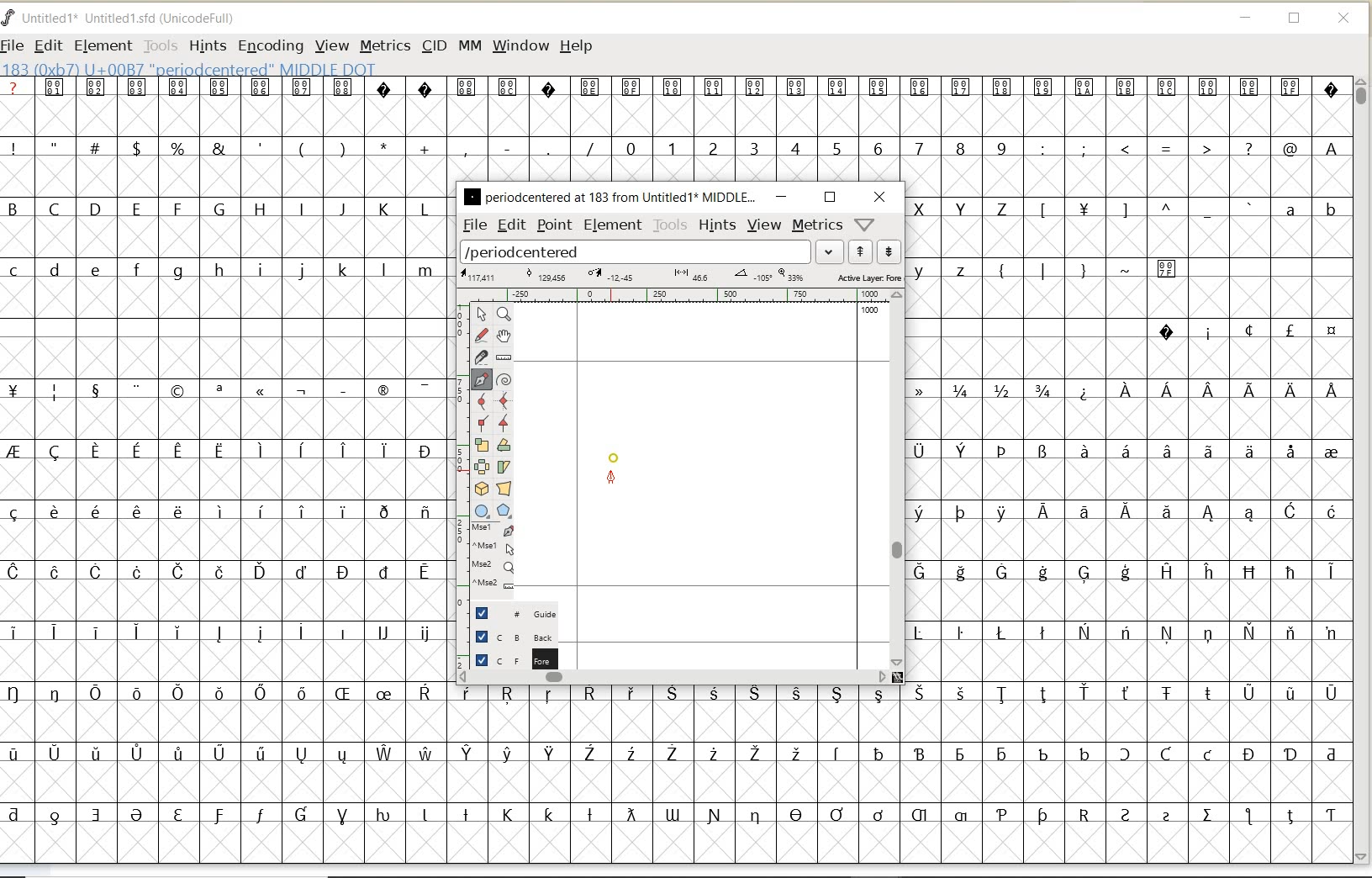 The height and width of the screenshot is (878, 1372). I want to click on tools, so click(670, 225).